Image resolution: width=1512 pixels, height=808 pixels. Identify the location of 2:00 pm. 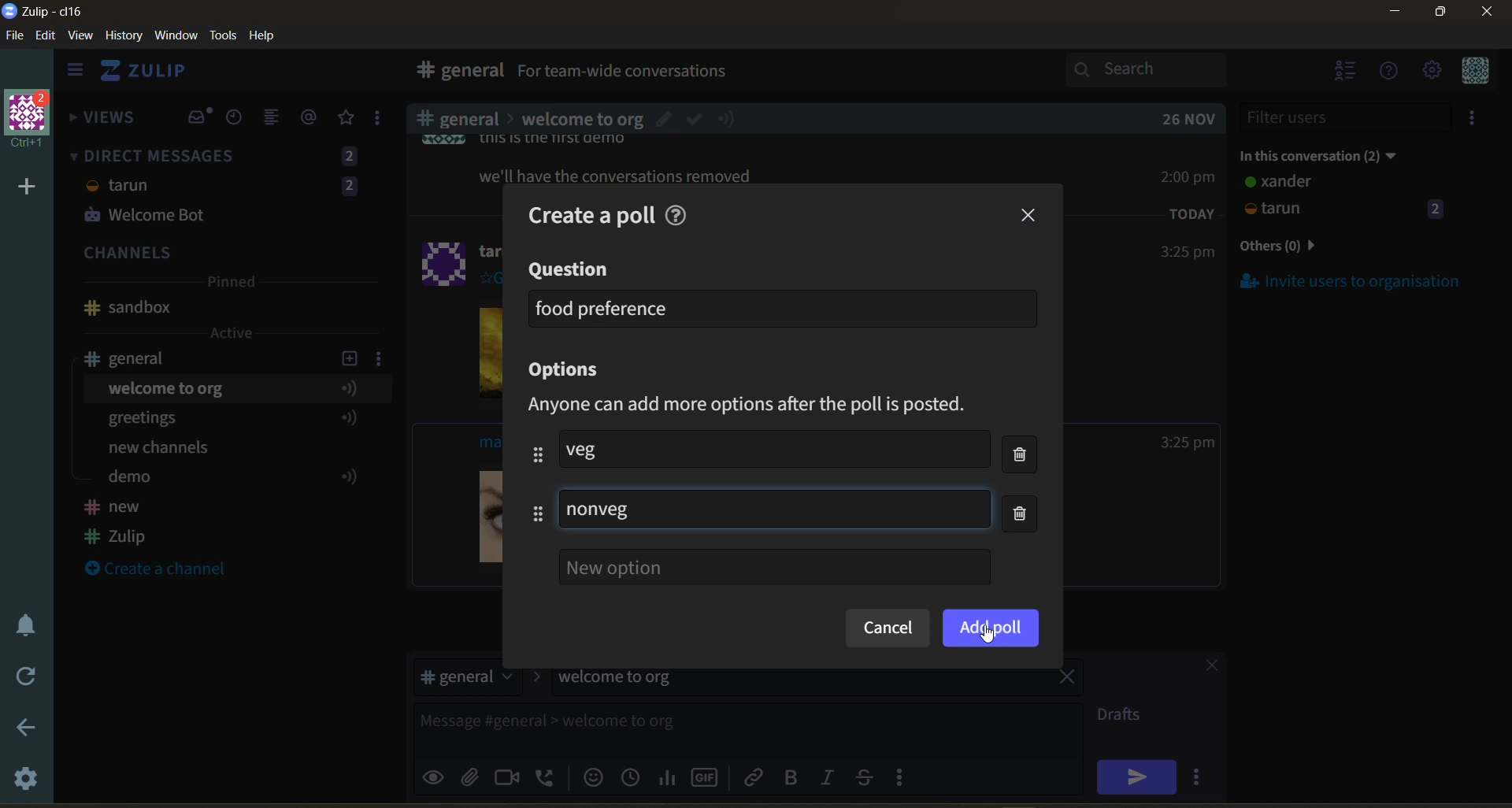
(1190, 176).